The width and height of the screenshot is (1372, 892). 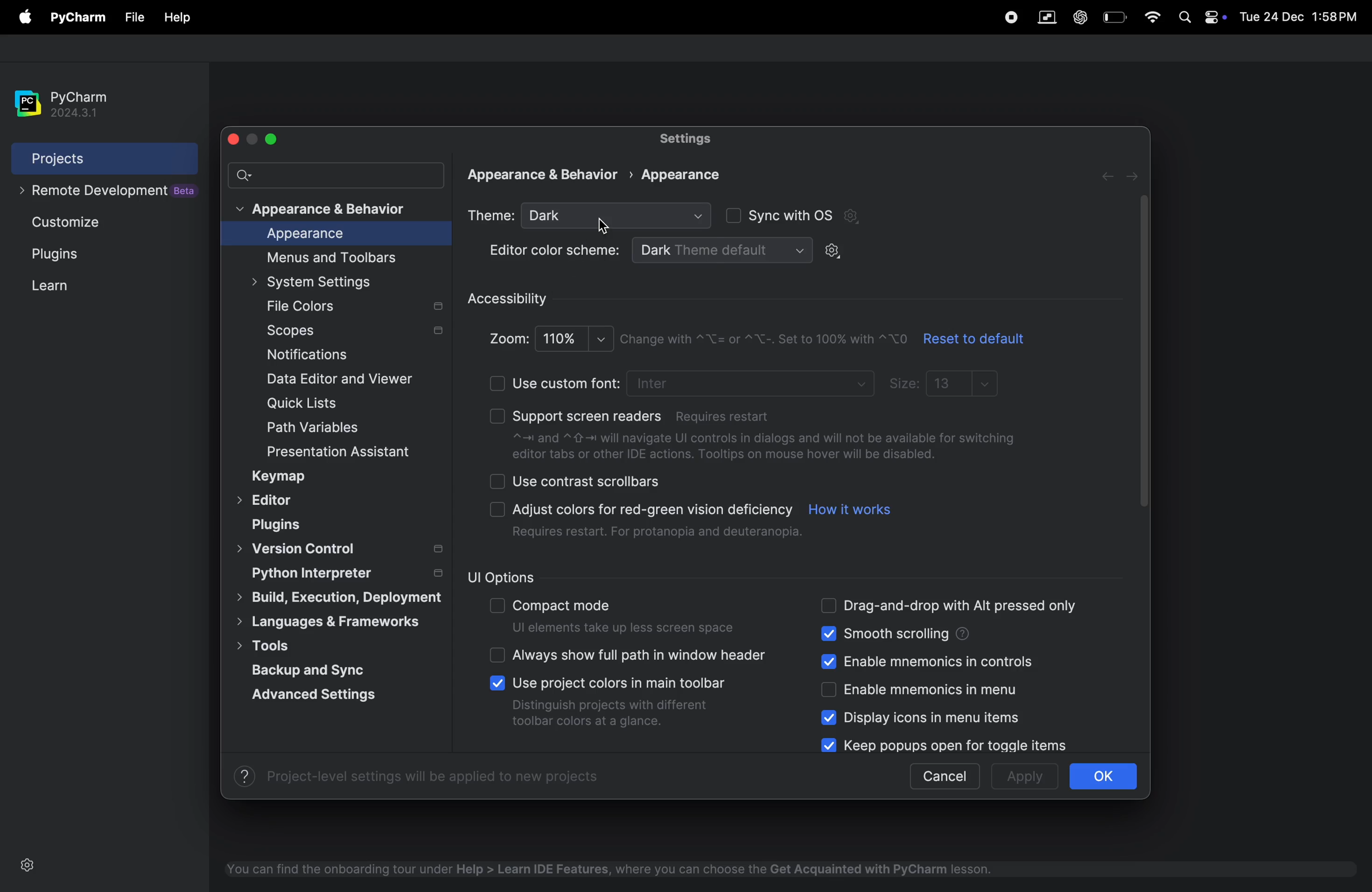 What do you see at coordinates (830, 717) in the screenshot?
I see `check boxes` at bounding box center [830, 717].